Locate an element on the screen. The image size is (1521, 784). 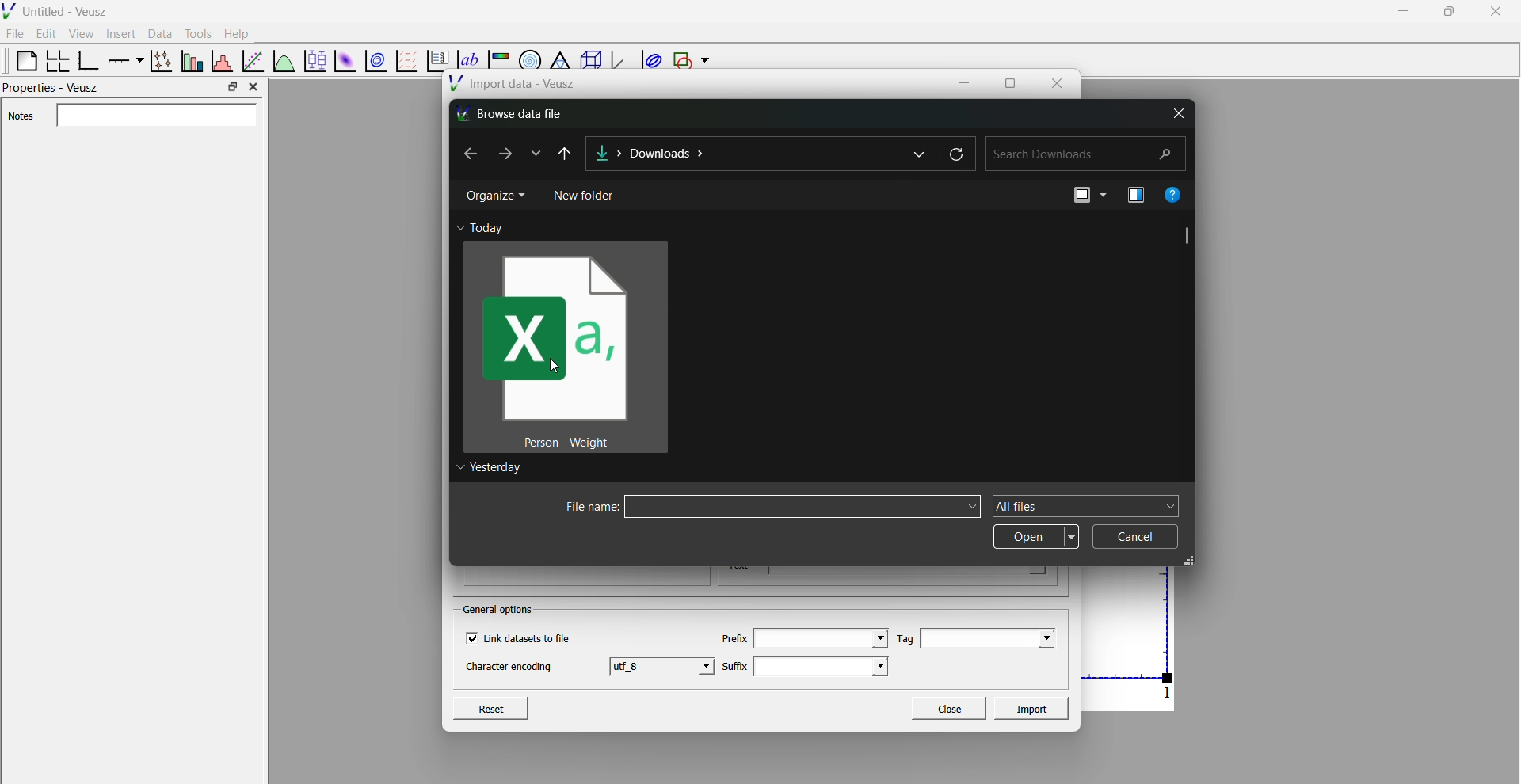
forward is located at coordinates (501, 152).